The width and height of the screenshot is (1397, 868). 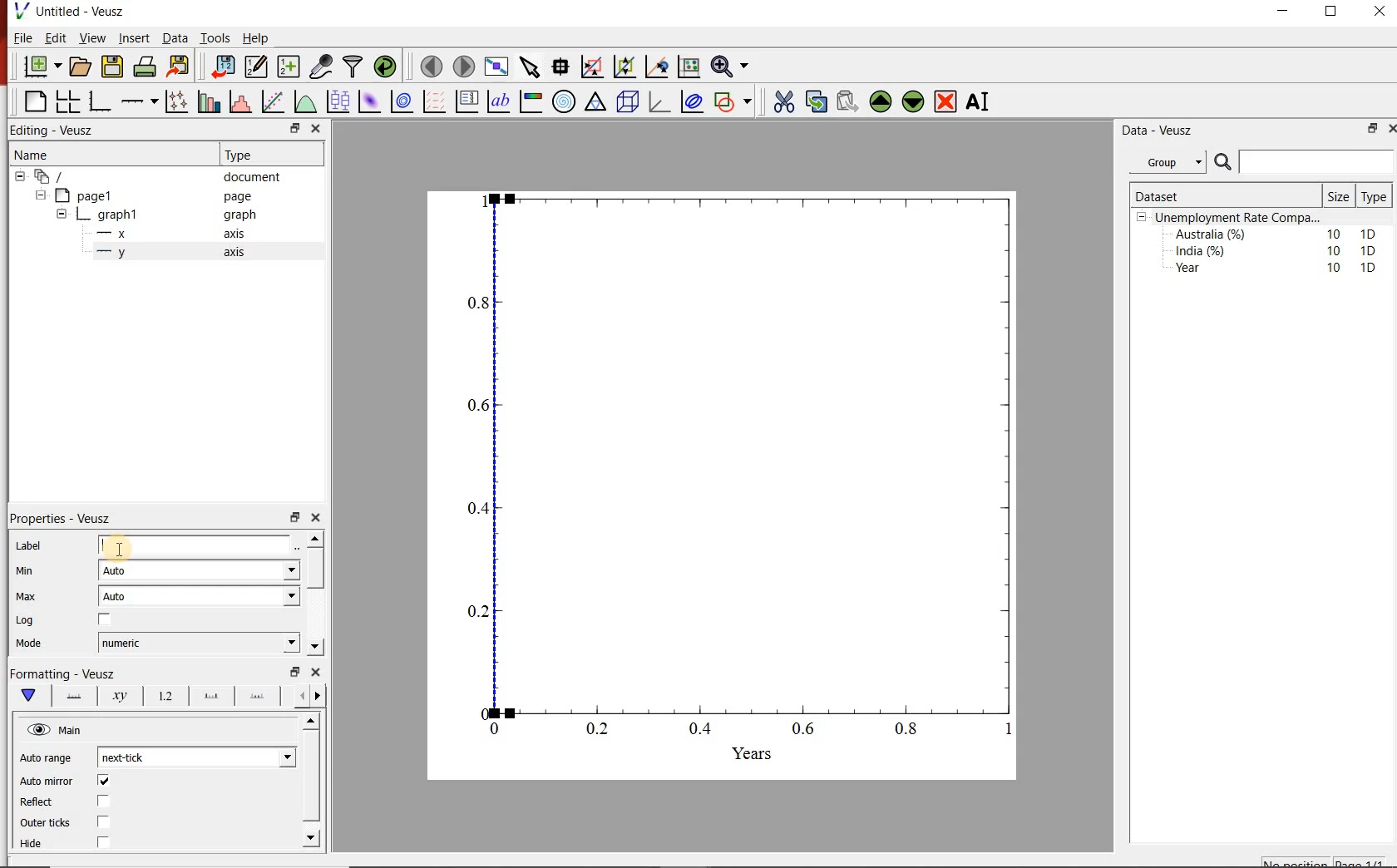 I want to click on label field, so click(x=195, y=545).